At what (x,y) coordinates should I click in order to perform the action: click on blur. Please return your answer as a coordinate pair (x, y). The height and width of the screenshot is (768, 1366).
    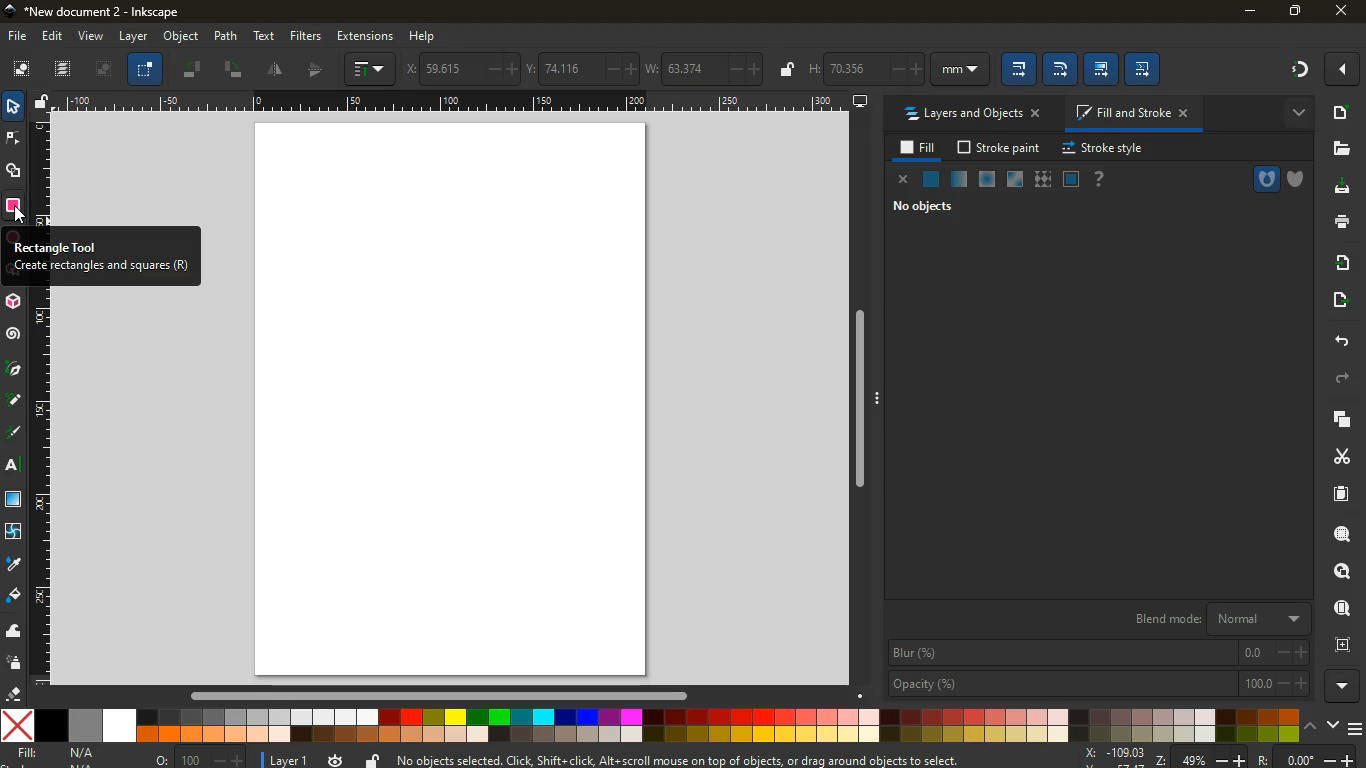
    Looking at the image, I should click on (1100, 652).